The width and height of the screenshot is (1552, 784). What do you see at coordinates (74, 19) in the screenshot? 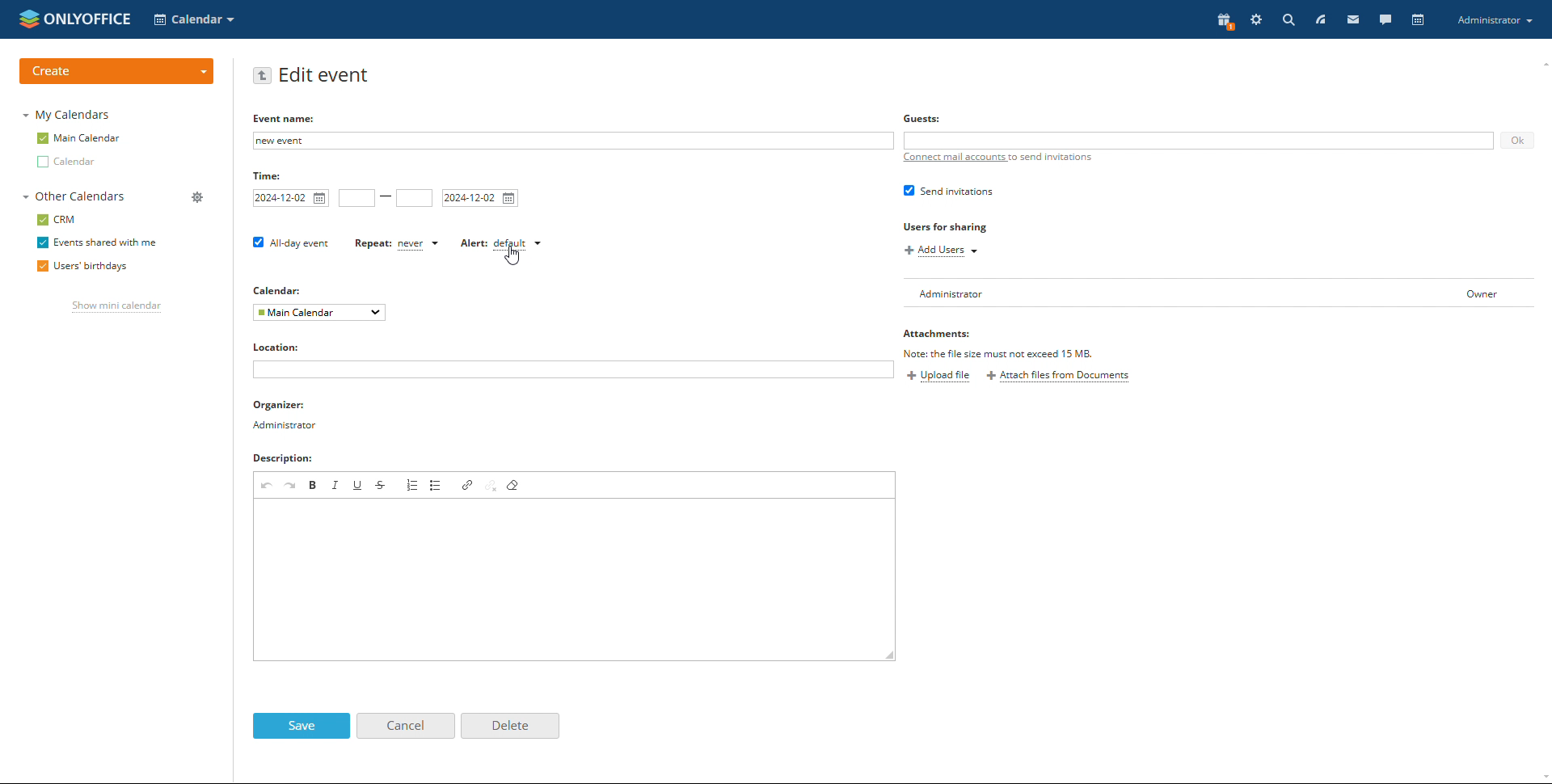
I see `logo` at bounding box center [74, 19].